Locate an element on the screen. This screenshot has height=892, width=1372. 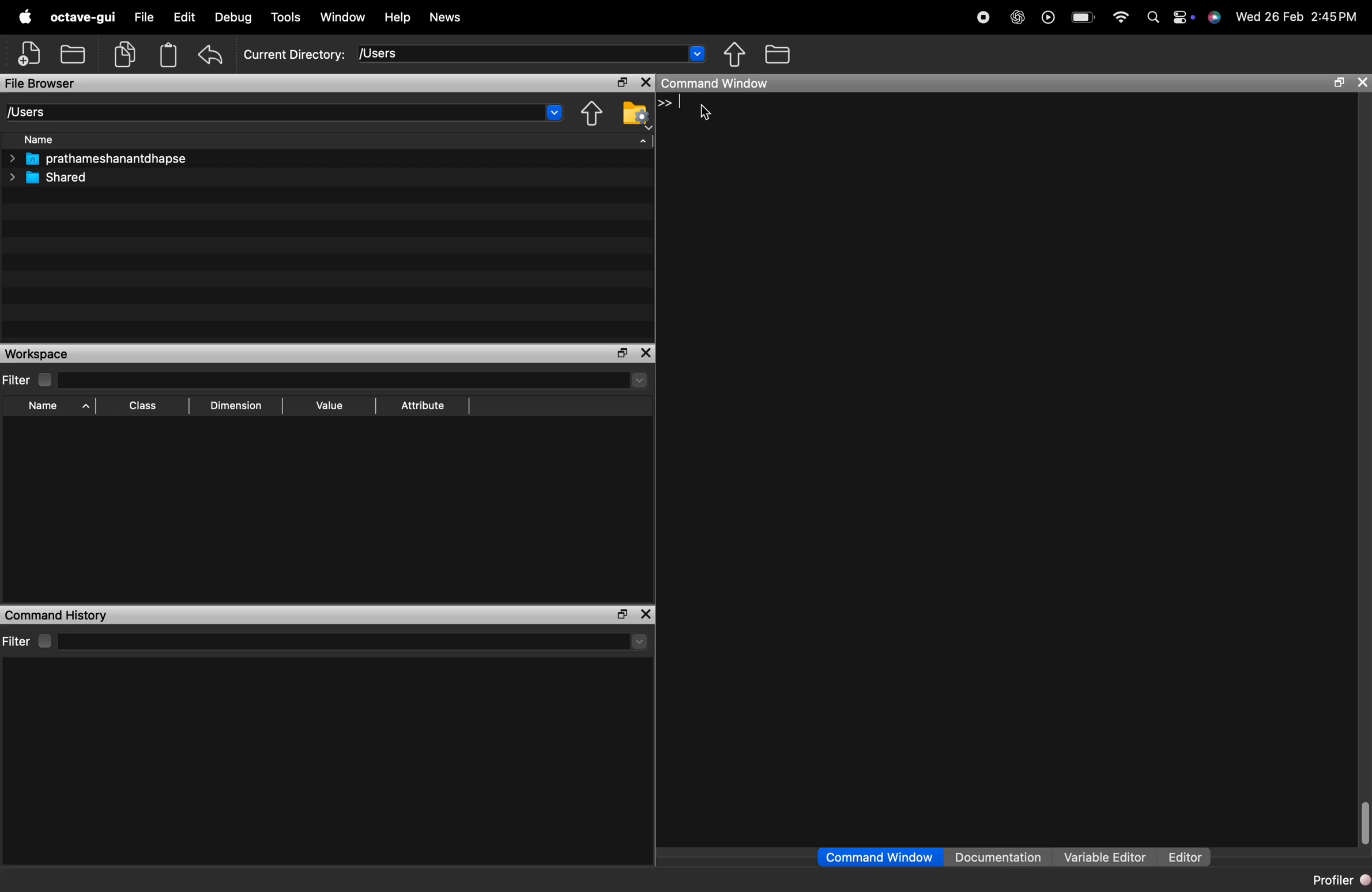
News is located at coordinates (453, 17).